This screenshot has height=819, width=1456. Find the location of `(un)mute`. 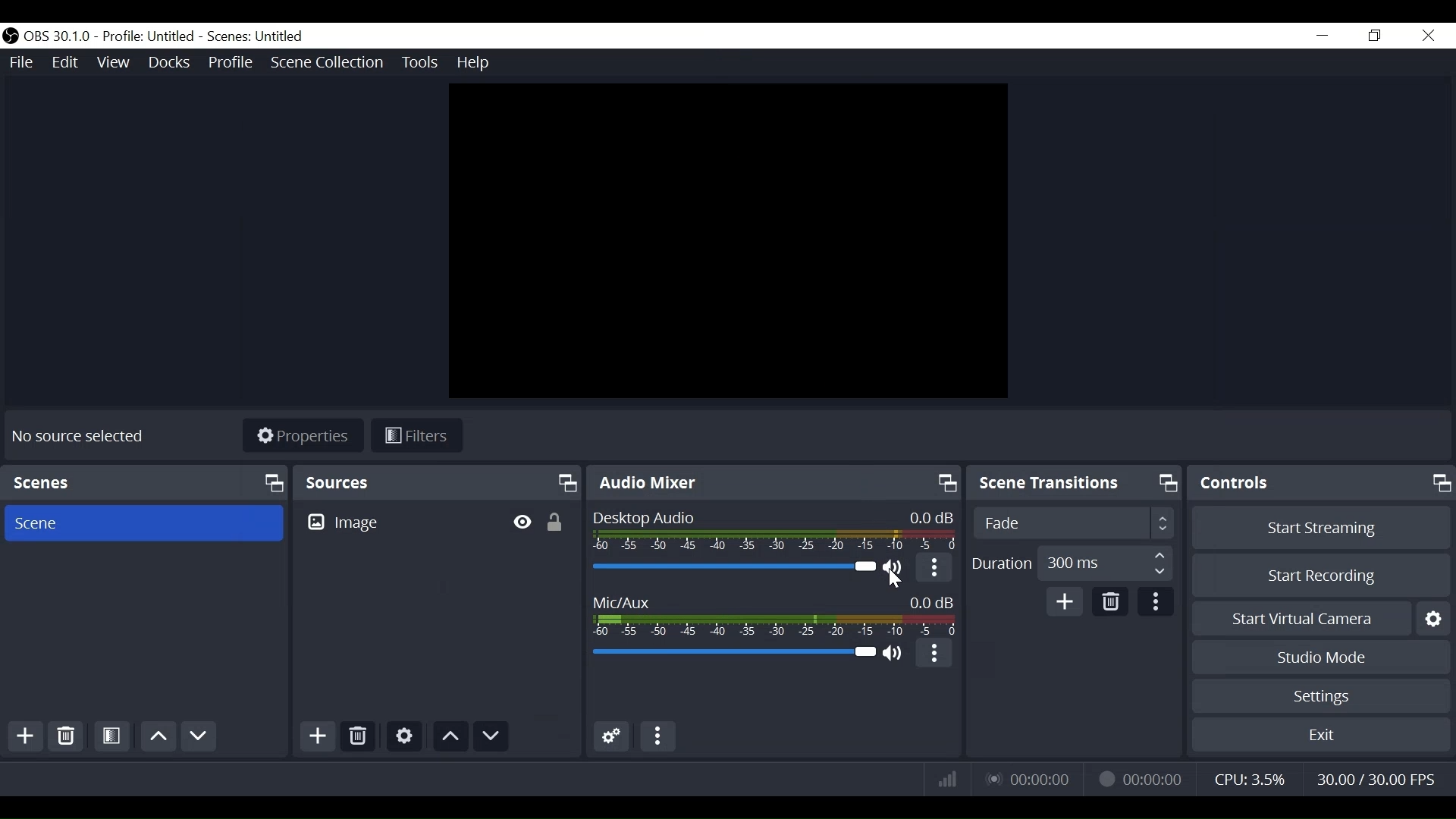

(un)mute is located at coordinates (896, 654).